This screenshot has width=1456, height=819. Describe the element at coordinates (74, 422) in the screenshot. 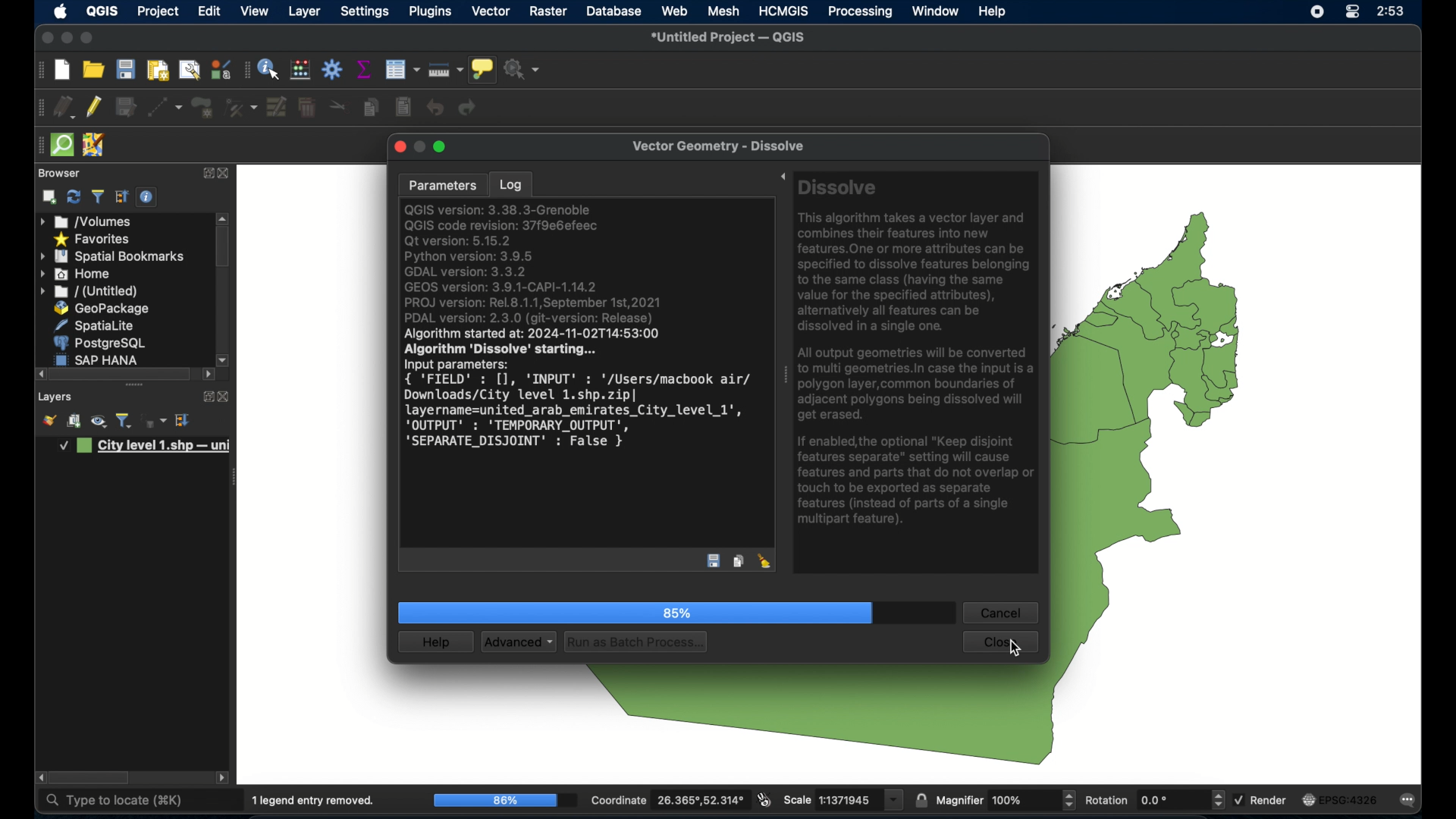

I see `add group` at that location.